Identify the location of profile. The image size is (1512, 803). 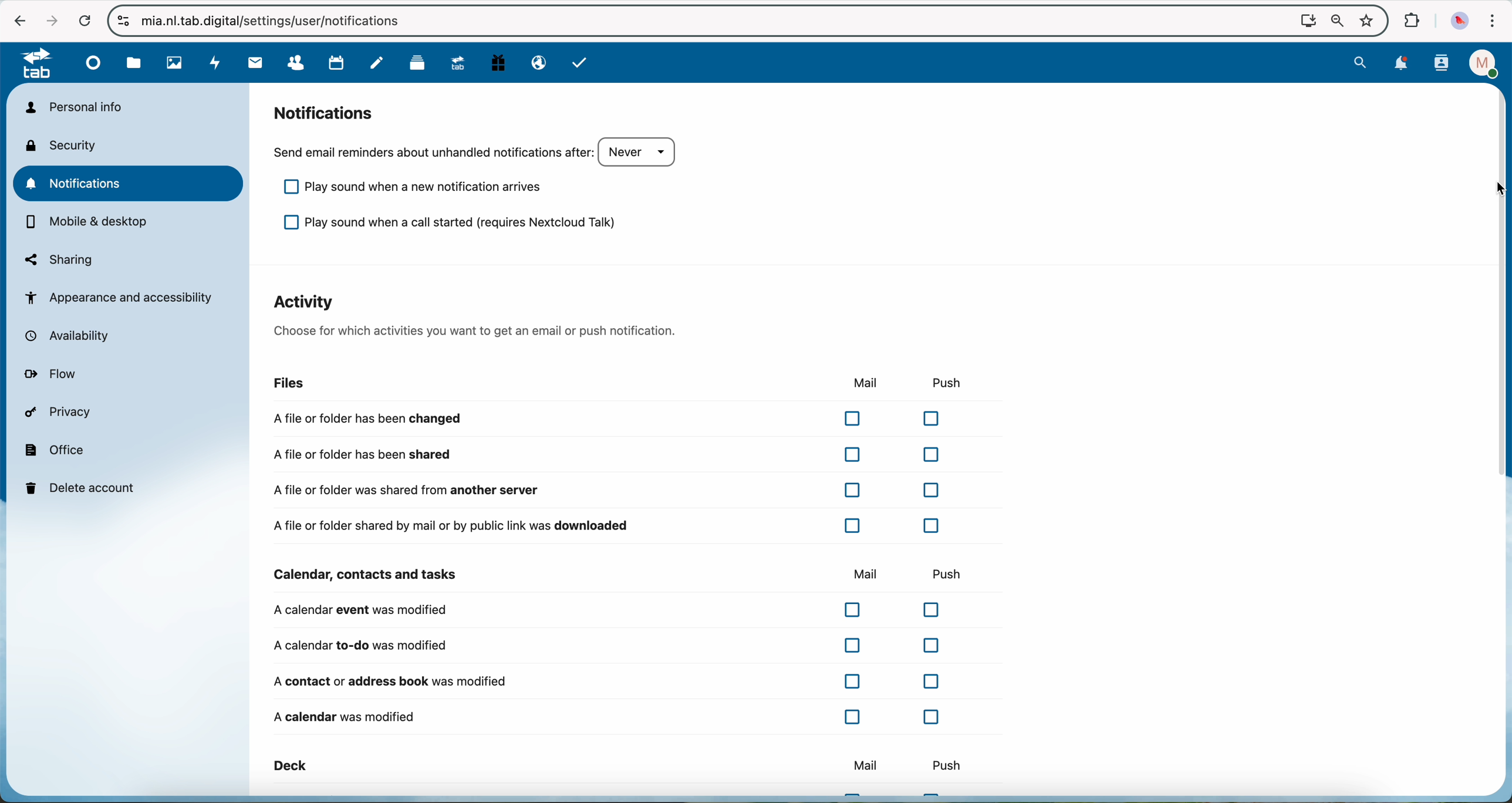
(1480, 63).